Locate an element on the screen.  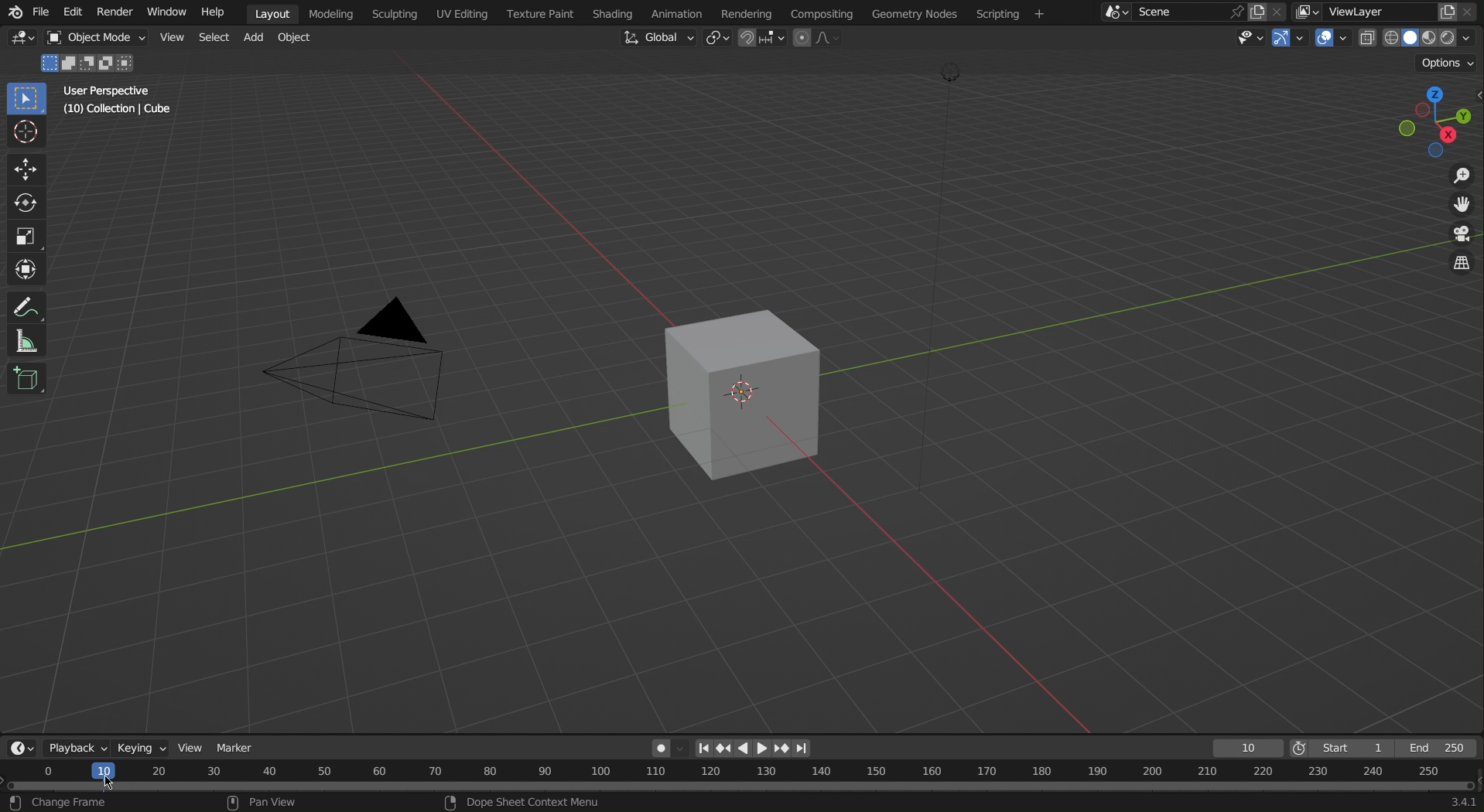
Close is located at coordinates (1473, 12).